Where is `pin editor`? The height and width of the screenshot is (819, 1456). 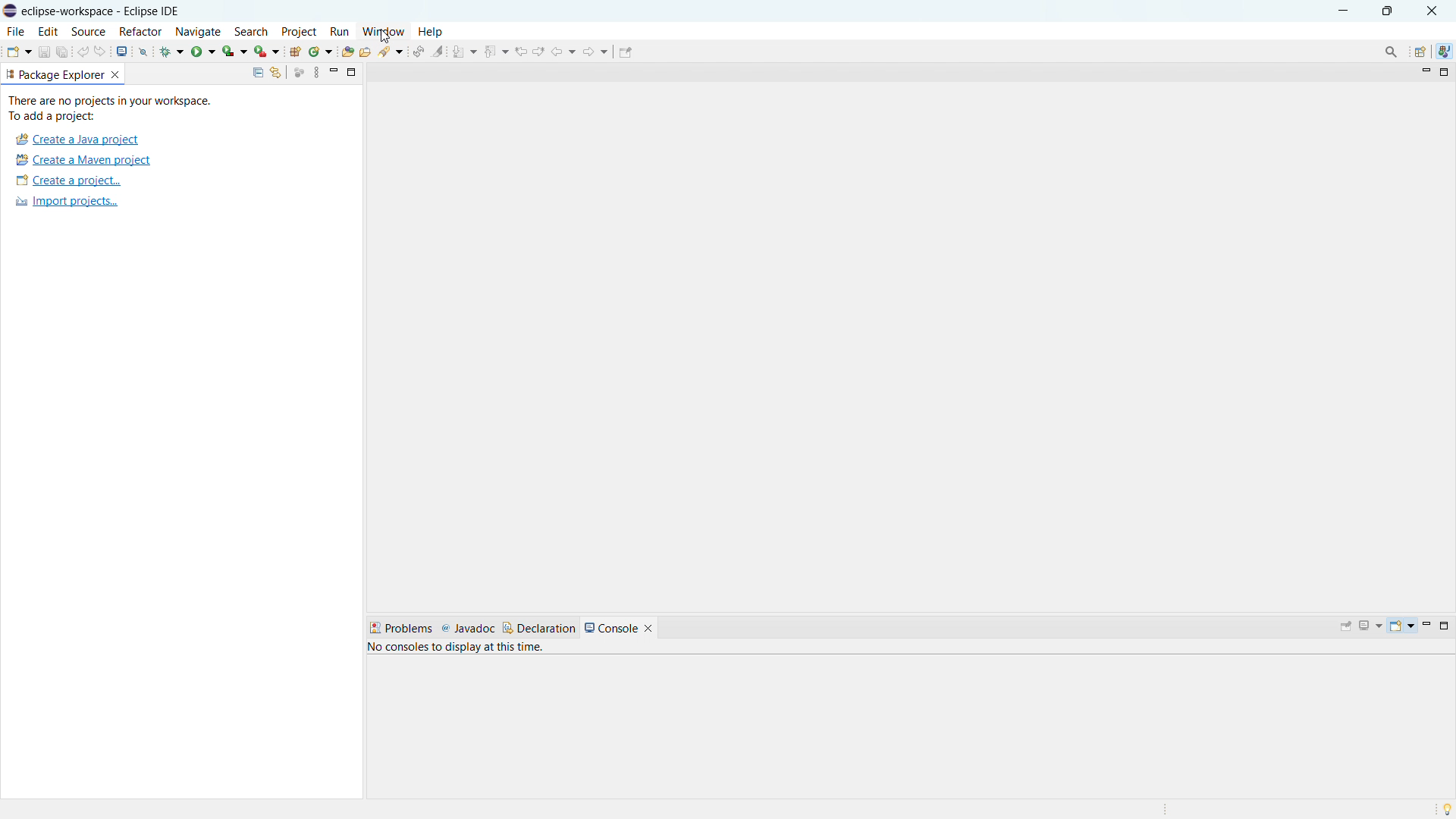 pin editor is located at coordinates (626, 53).